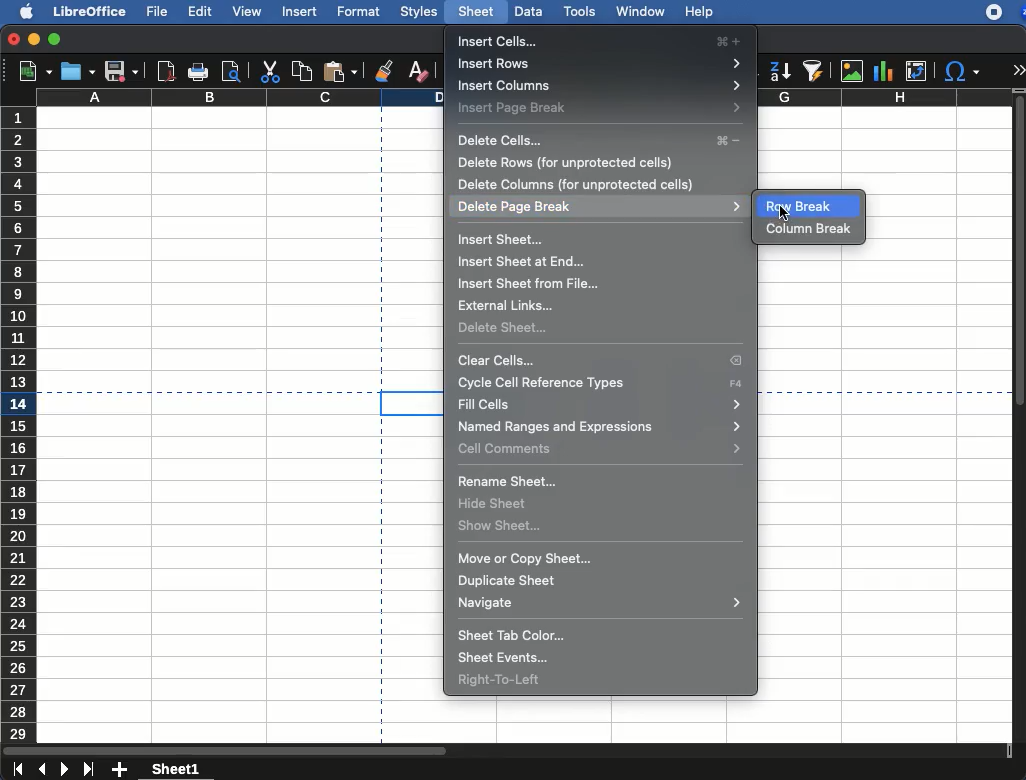 Image resolution: width=1026 pixels, height=780 pixels. I want to click on named ranges and expressions, so click(600, 427).